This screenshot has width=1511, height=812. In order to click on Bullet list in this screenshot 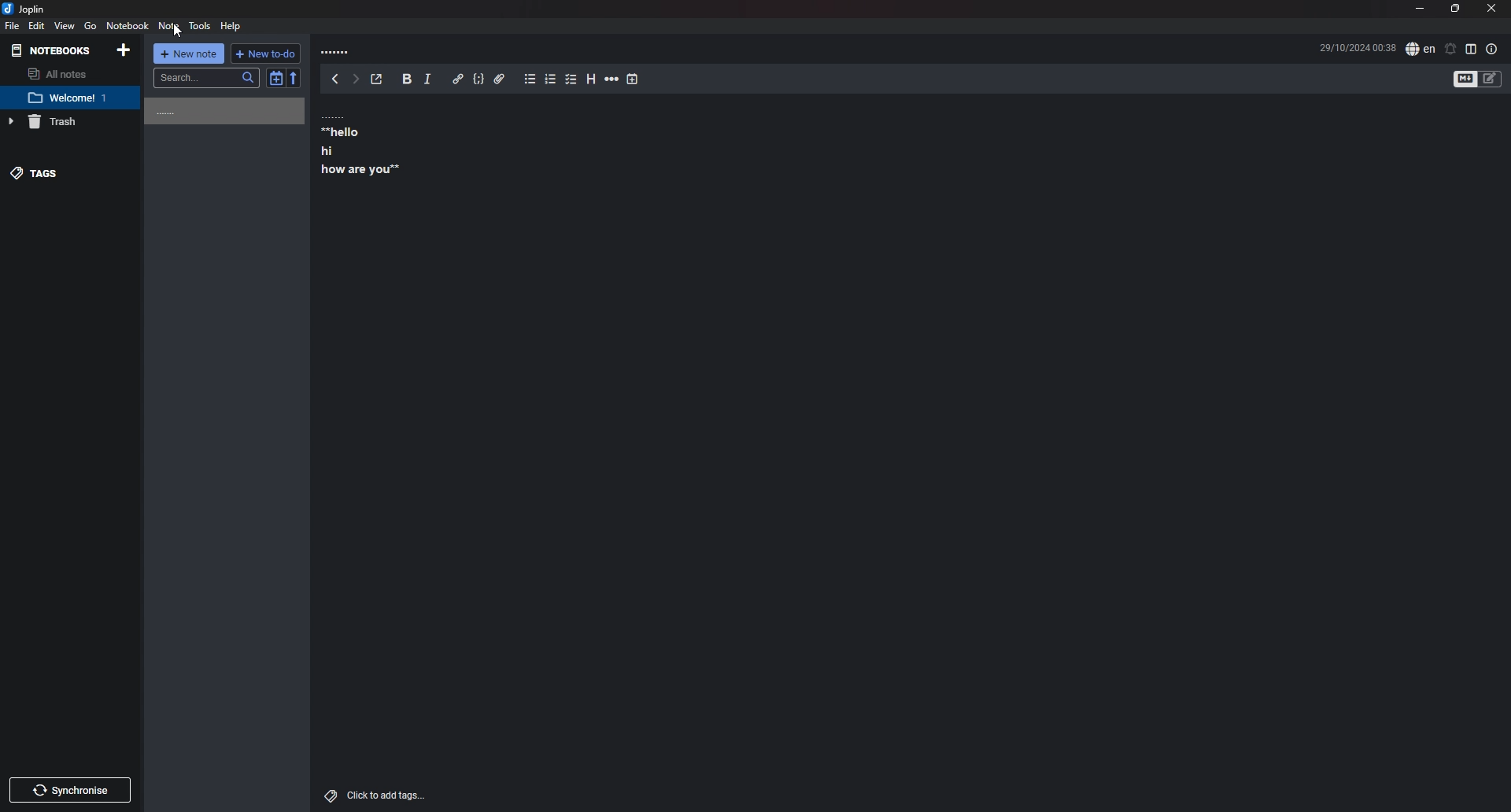, I will do `click(530, 79)`.